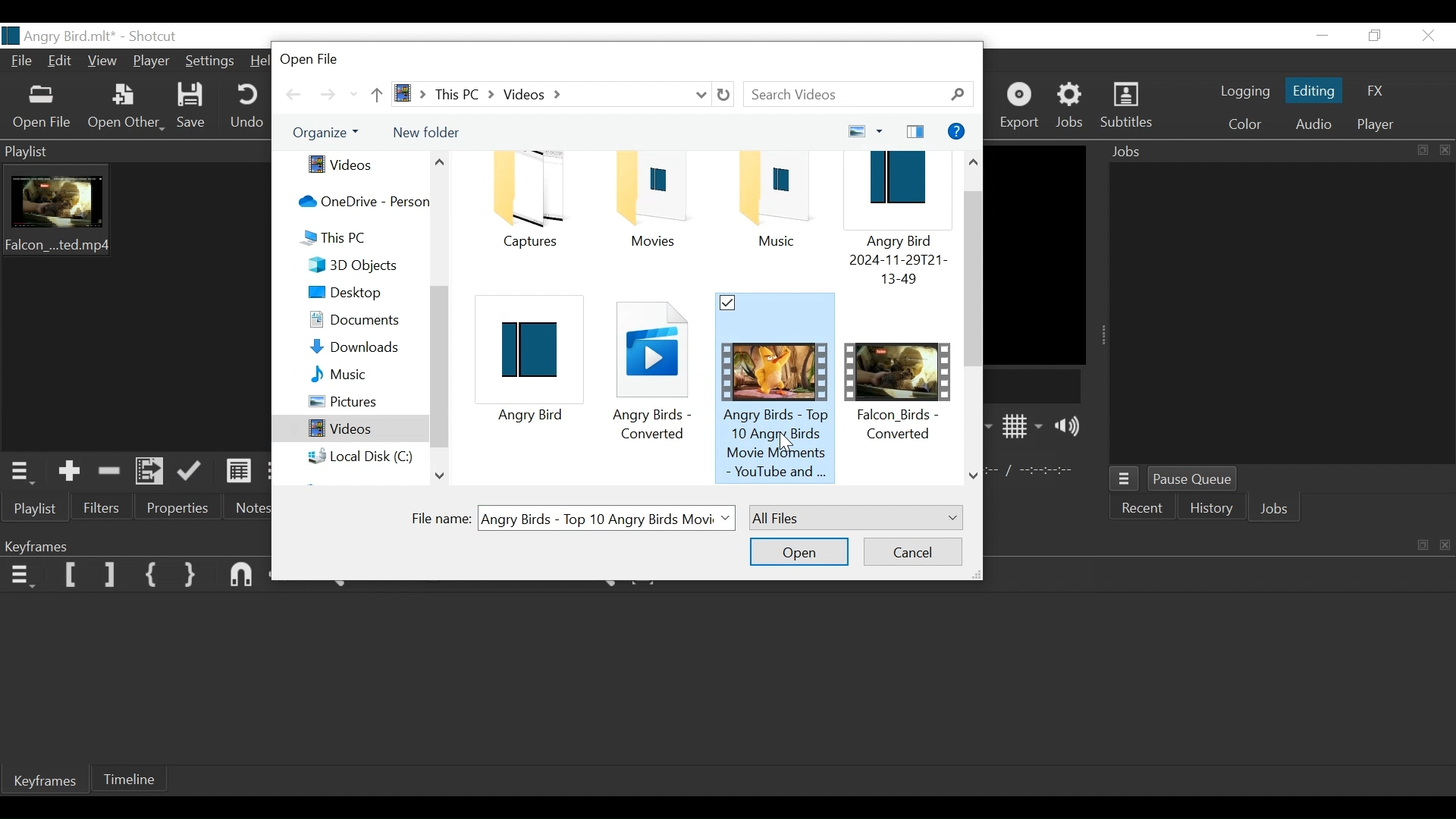  What do you see at coordinates (1025, 427) in the screenshot?
I see `Toggle display grid on player` at bounding box center [1025, 427].